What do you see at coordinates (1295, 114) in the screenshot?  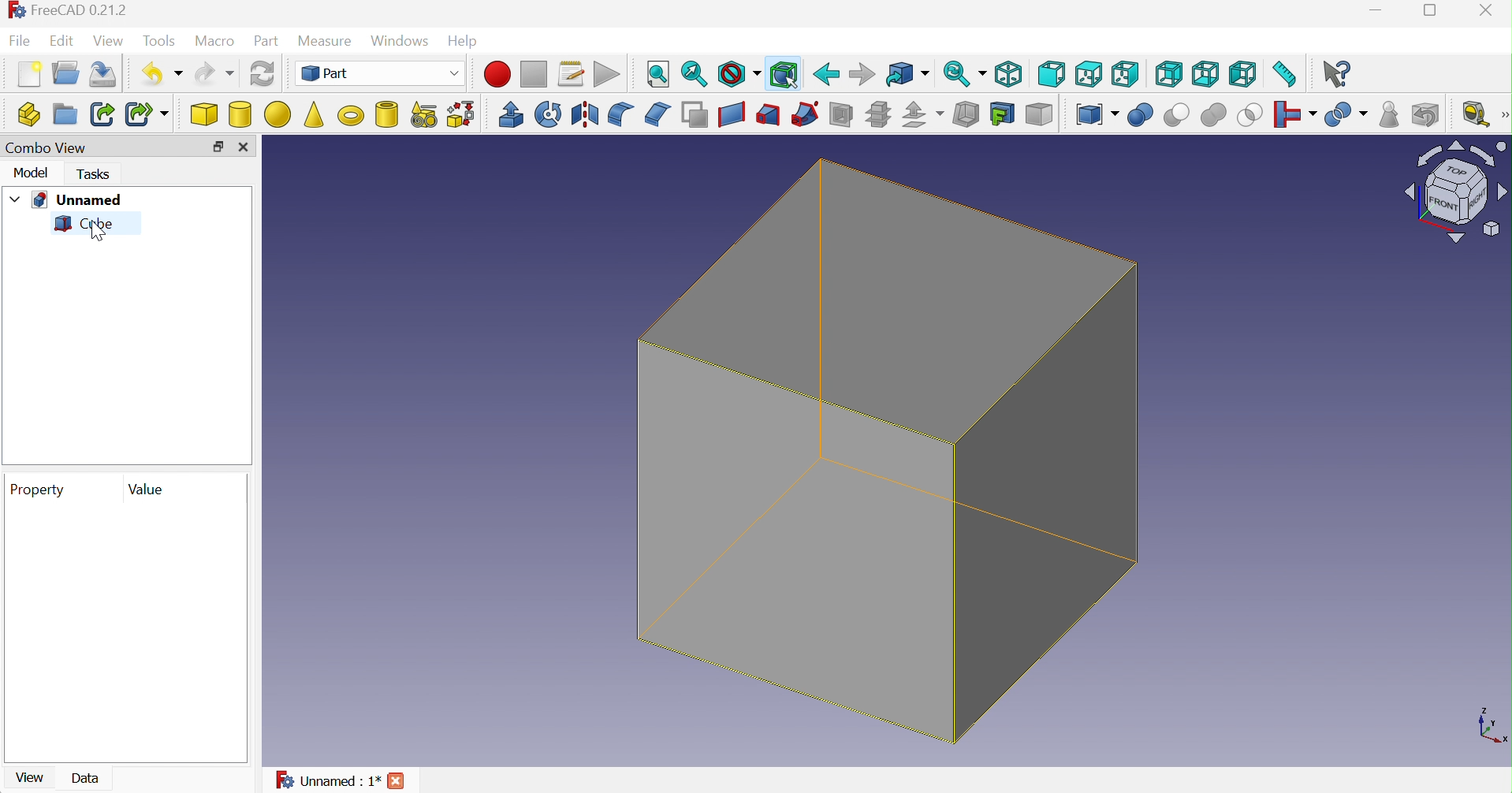 I see `Join objects` at bounding box center [1295, 114].